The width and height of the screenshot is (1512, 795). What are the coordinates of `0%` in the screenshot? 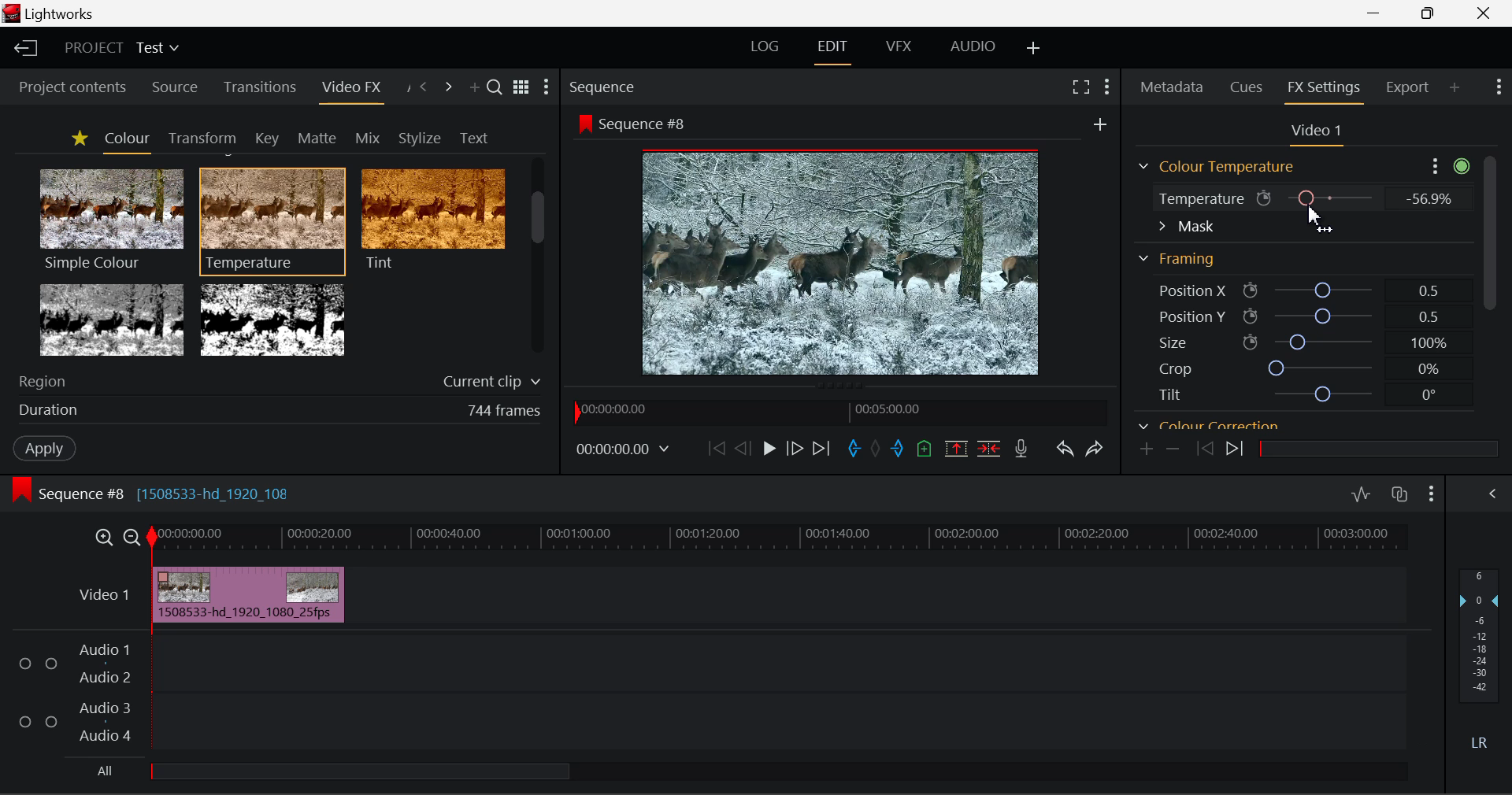 It's located at (1427, 369).